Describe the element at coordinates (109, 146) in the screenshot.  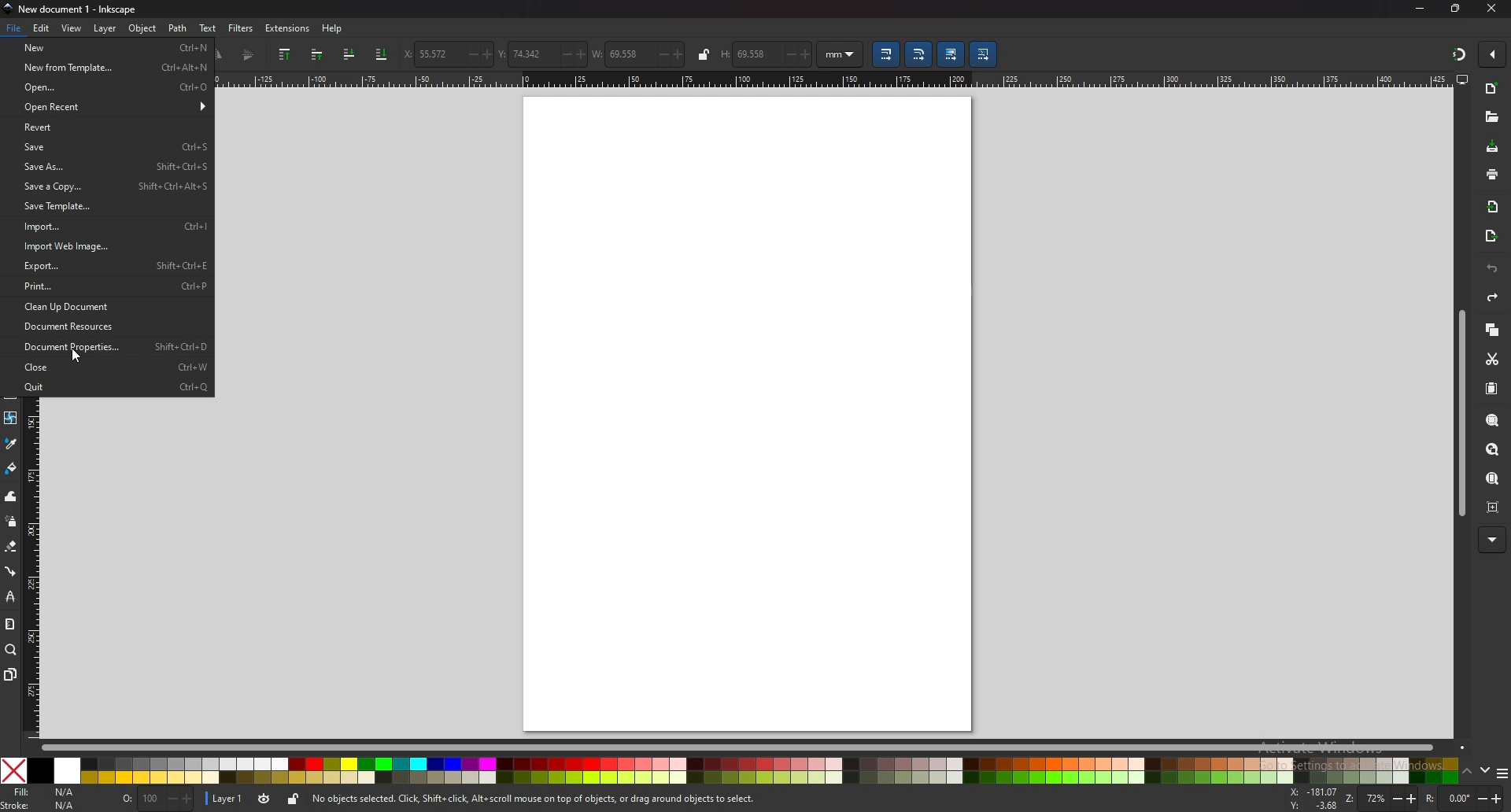
I see `save` at that location.